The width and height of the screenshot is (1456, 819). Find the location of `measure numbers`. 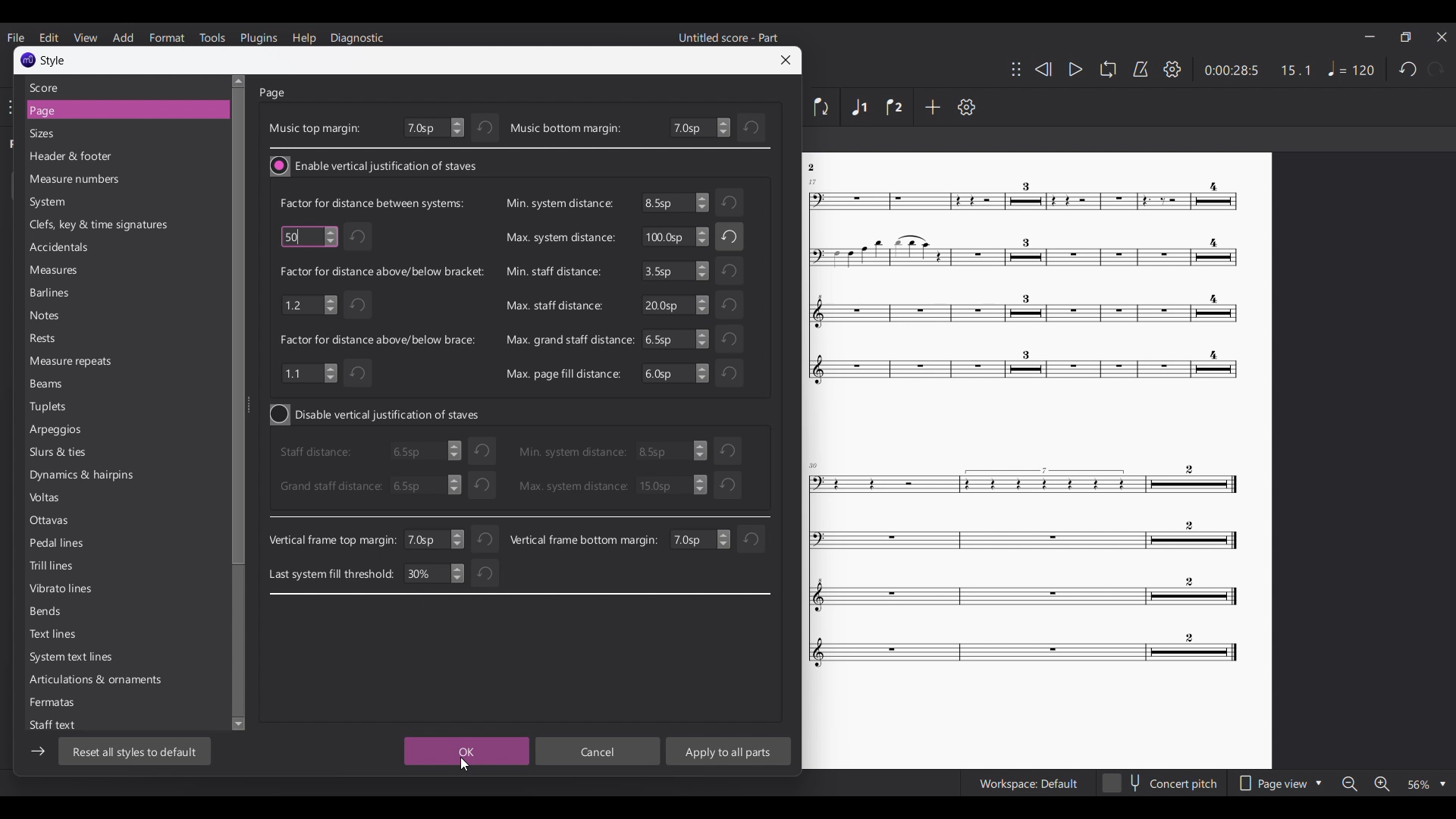

measure numbers is located at coordinates (112, 180).